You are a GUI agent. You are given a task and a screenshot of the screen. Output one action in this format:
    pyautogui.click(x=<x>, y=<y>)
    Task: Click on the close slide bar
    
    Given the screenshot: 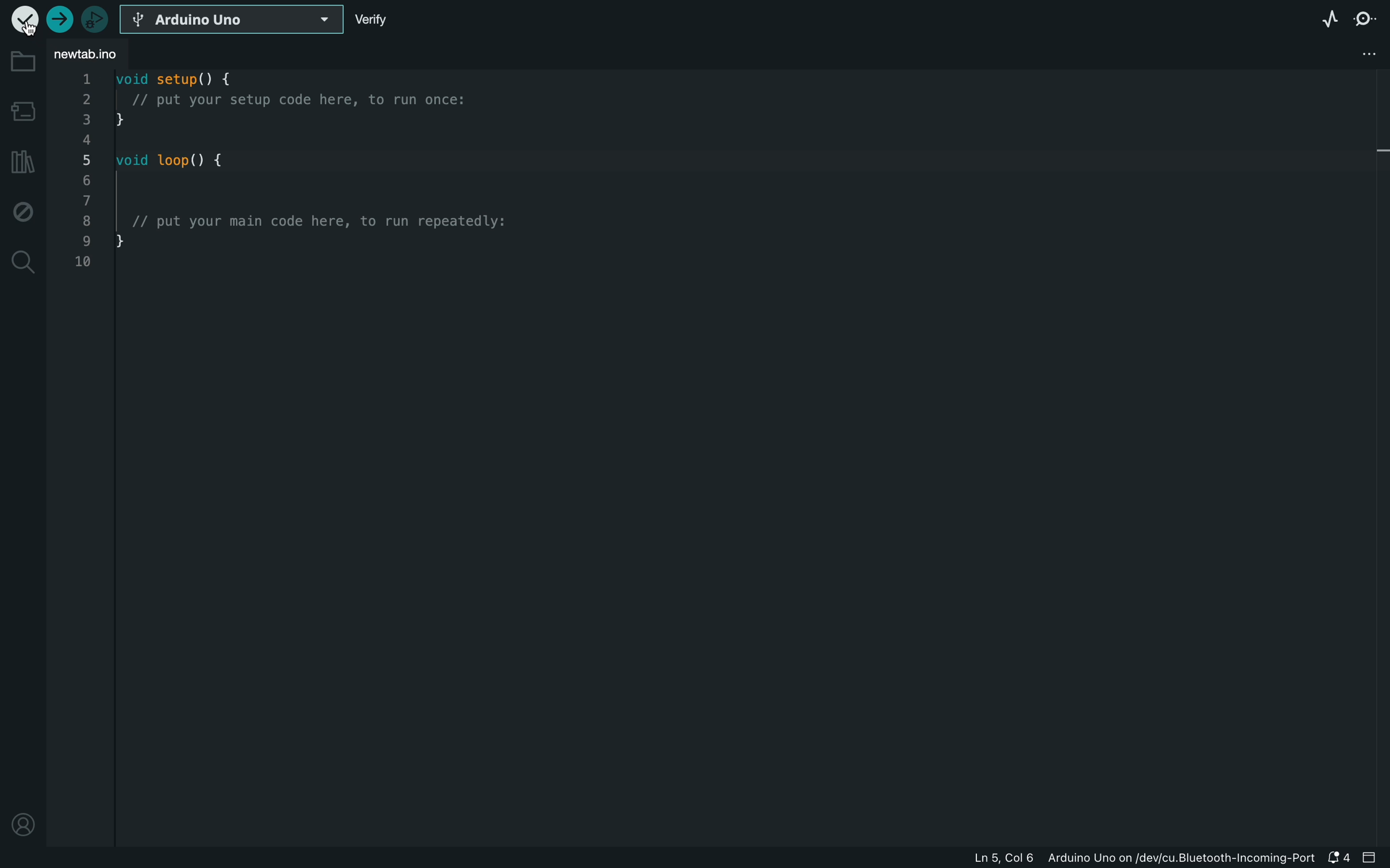 What is the action you would take?
    pyautogui.click(x=1374, y=858)
    